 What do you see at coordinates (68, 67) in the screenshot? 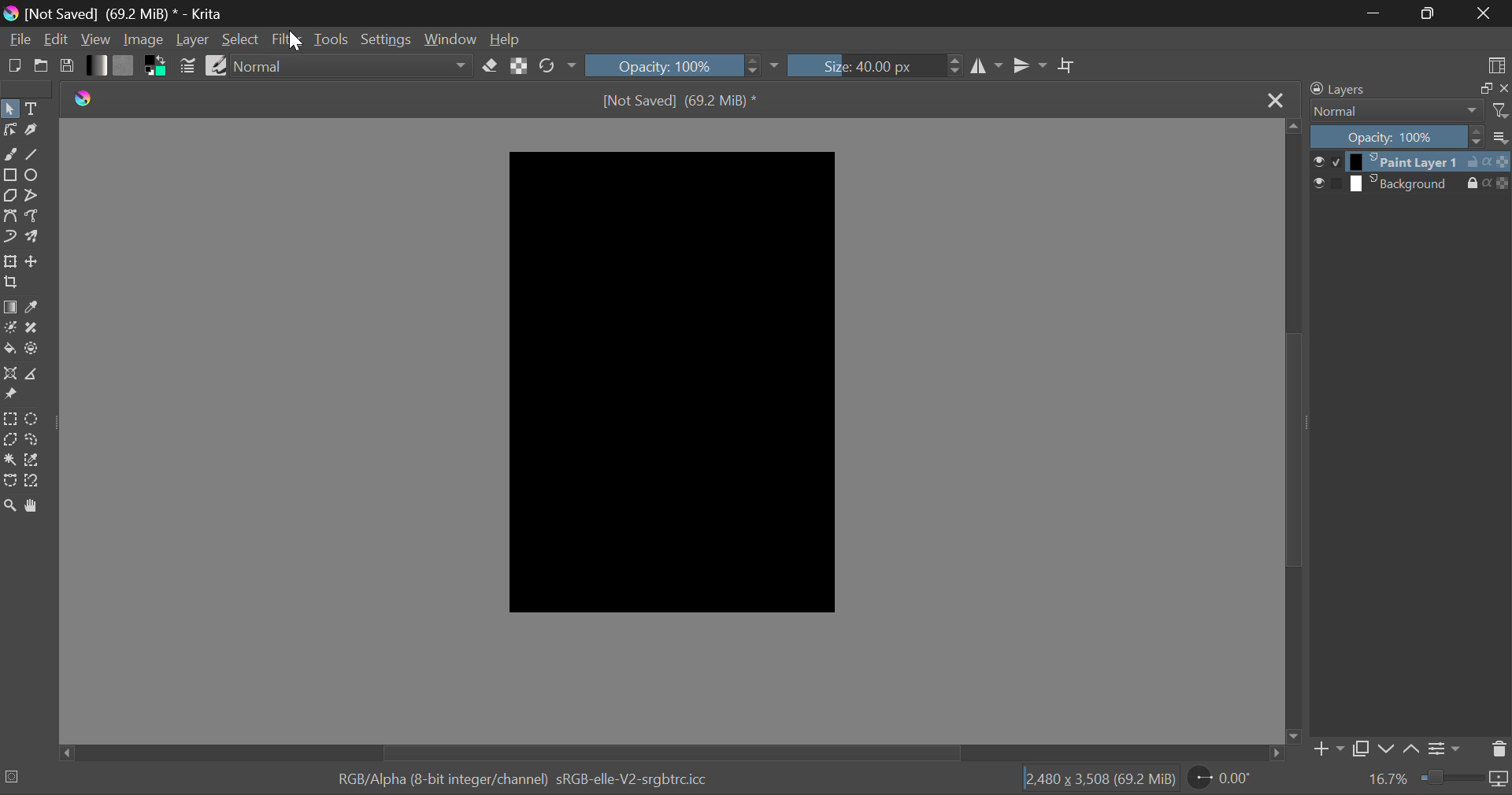
I see `Save` at bounding box center [68, 67].